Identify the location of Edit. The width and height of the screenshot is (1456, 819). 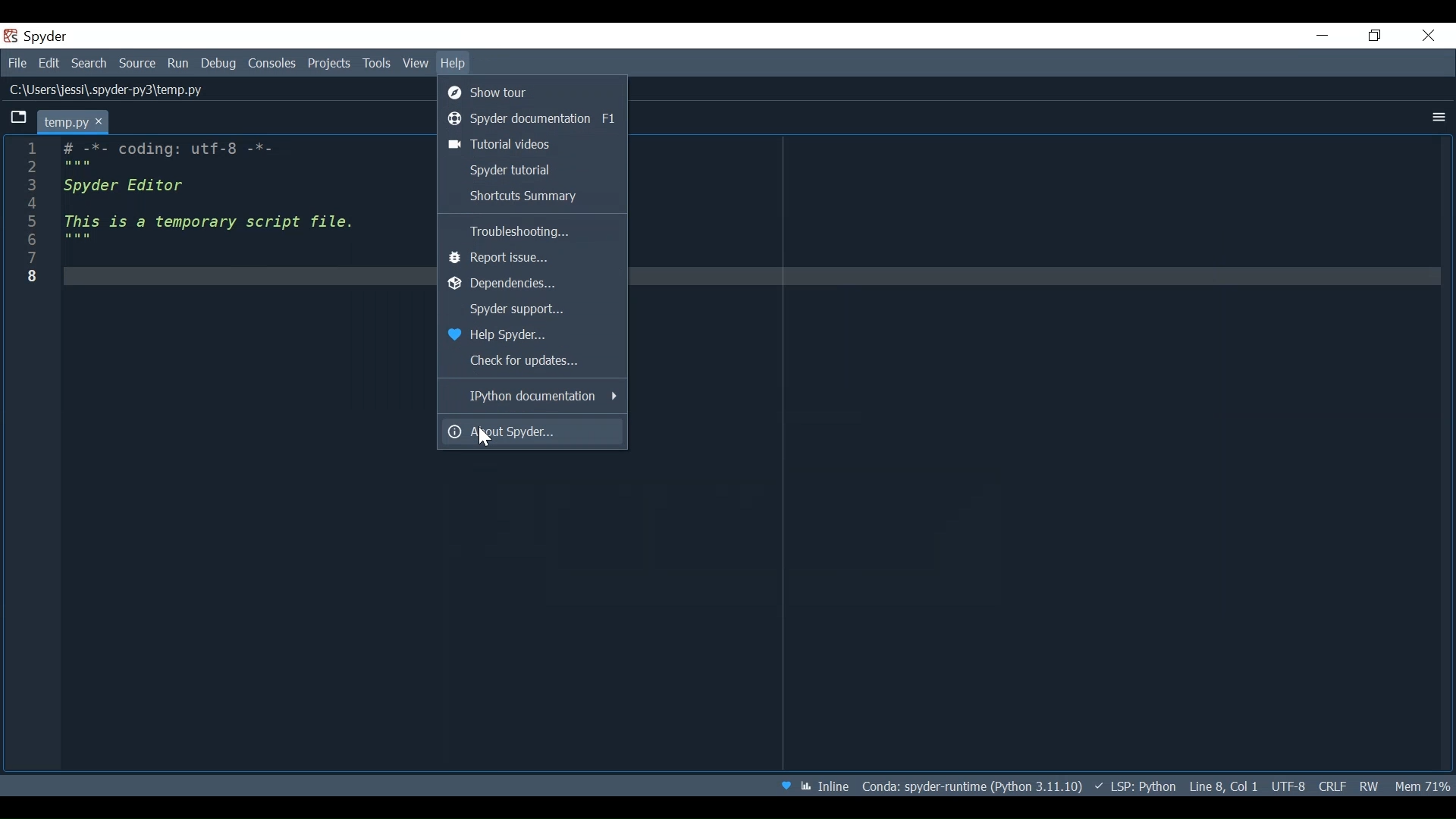
(49, 64).